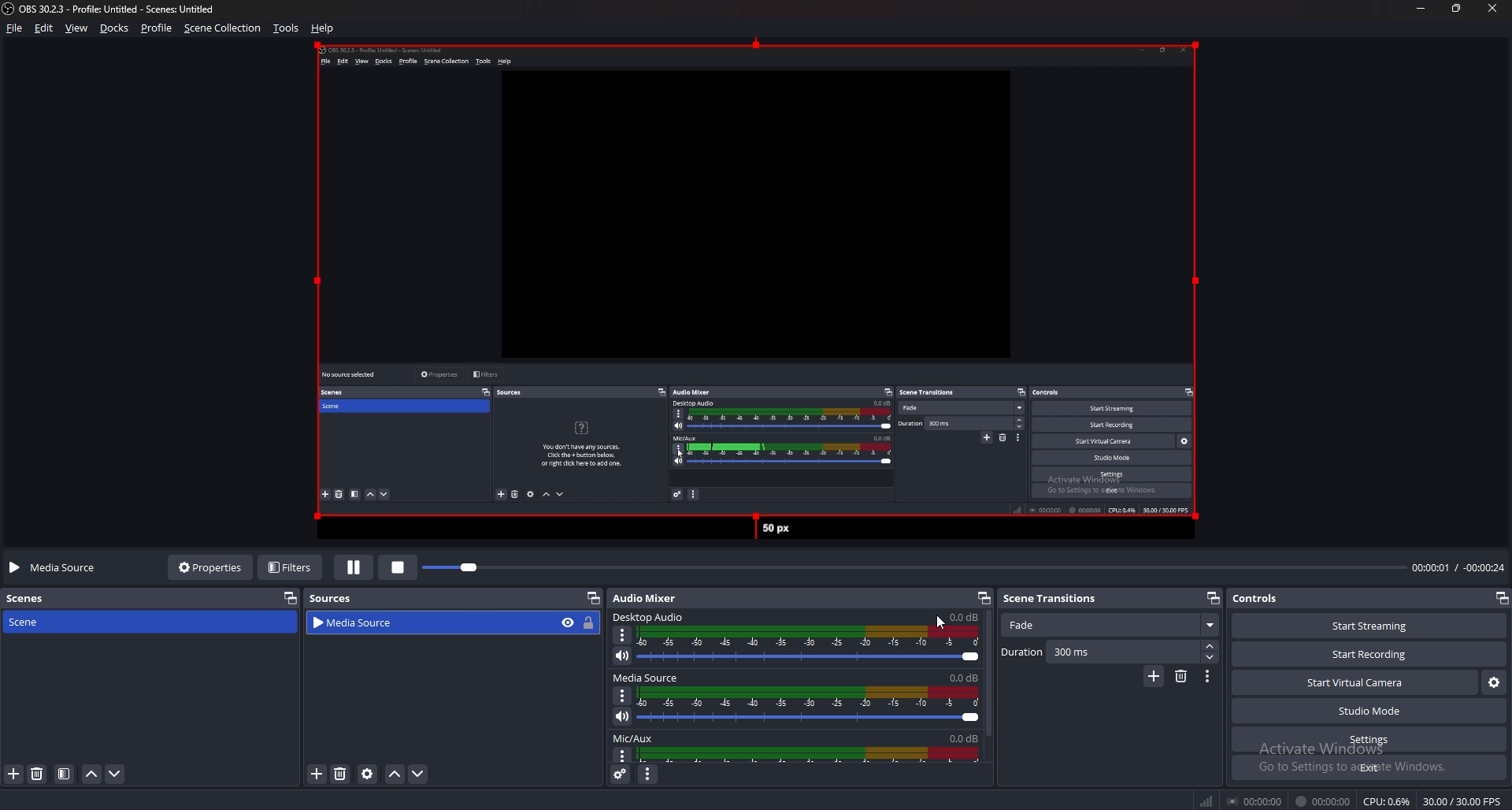 Image resolution: width=1512 pixels, height=810 pixels. Describe the element at coordinates (120, 9) in the screenshot. I see `‘OBS 30.2.3 - Profile: Untitled - Scenes: Untitled` at that location.